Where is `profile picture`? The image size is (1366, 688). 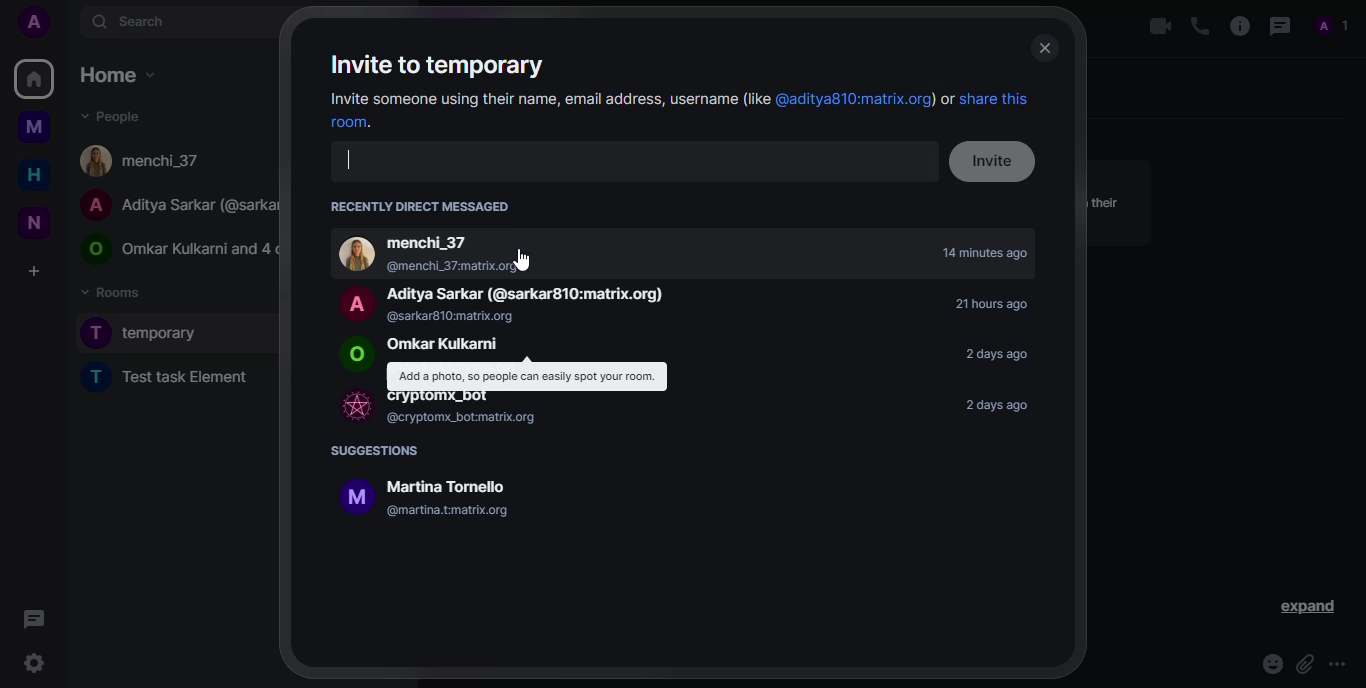 profile picture is located at coordinates (350, 302).